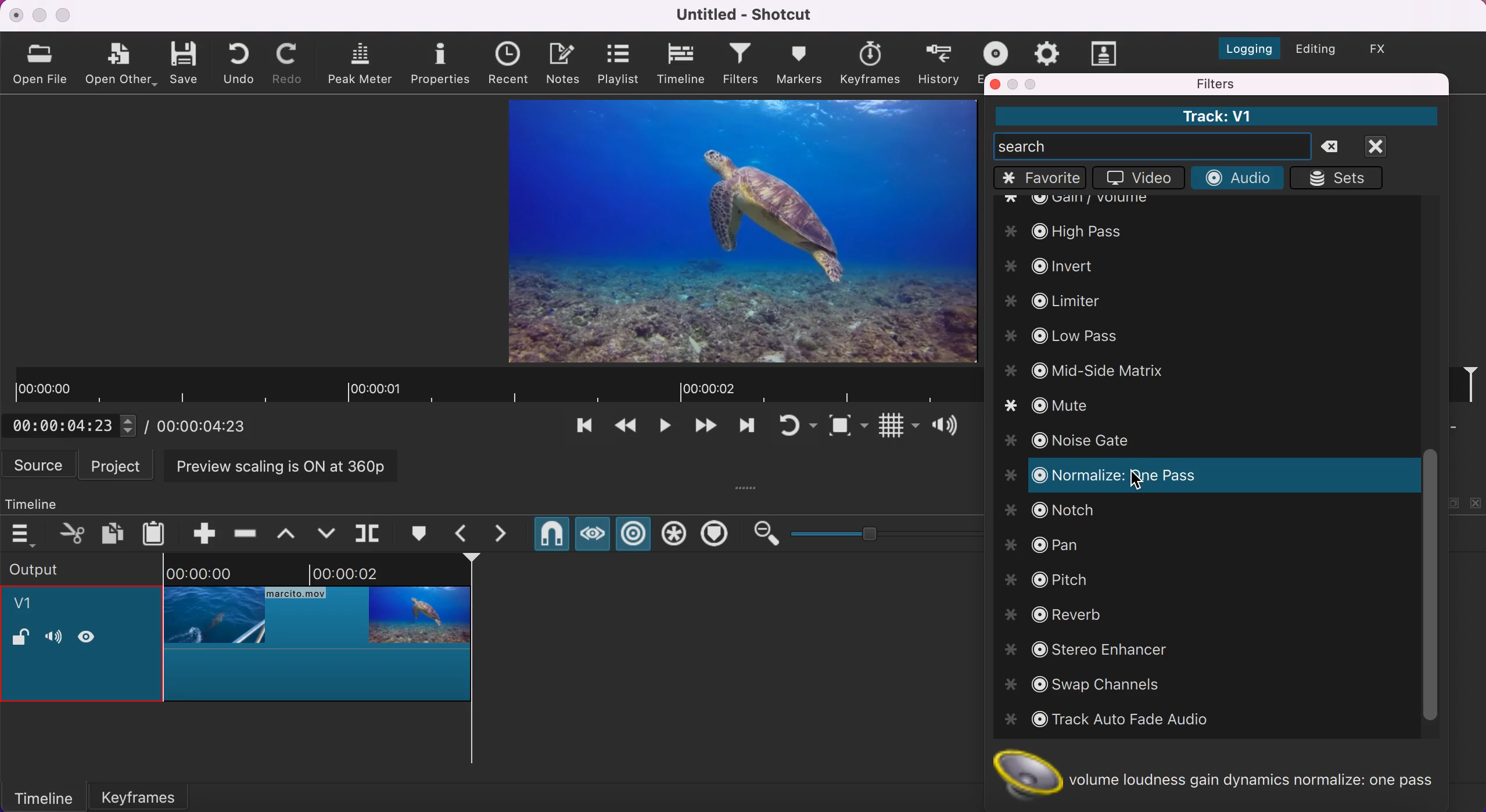  What do you see at coordinates (618, 63) in the screenshot?
I see `playlist` at bounding box center [618, 63].